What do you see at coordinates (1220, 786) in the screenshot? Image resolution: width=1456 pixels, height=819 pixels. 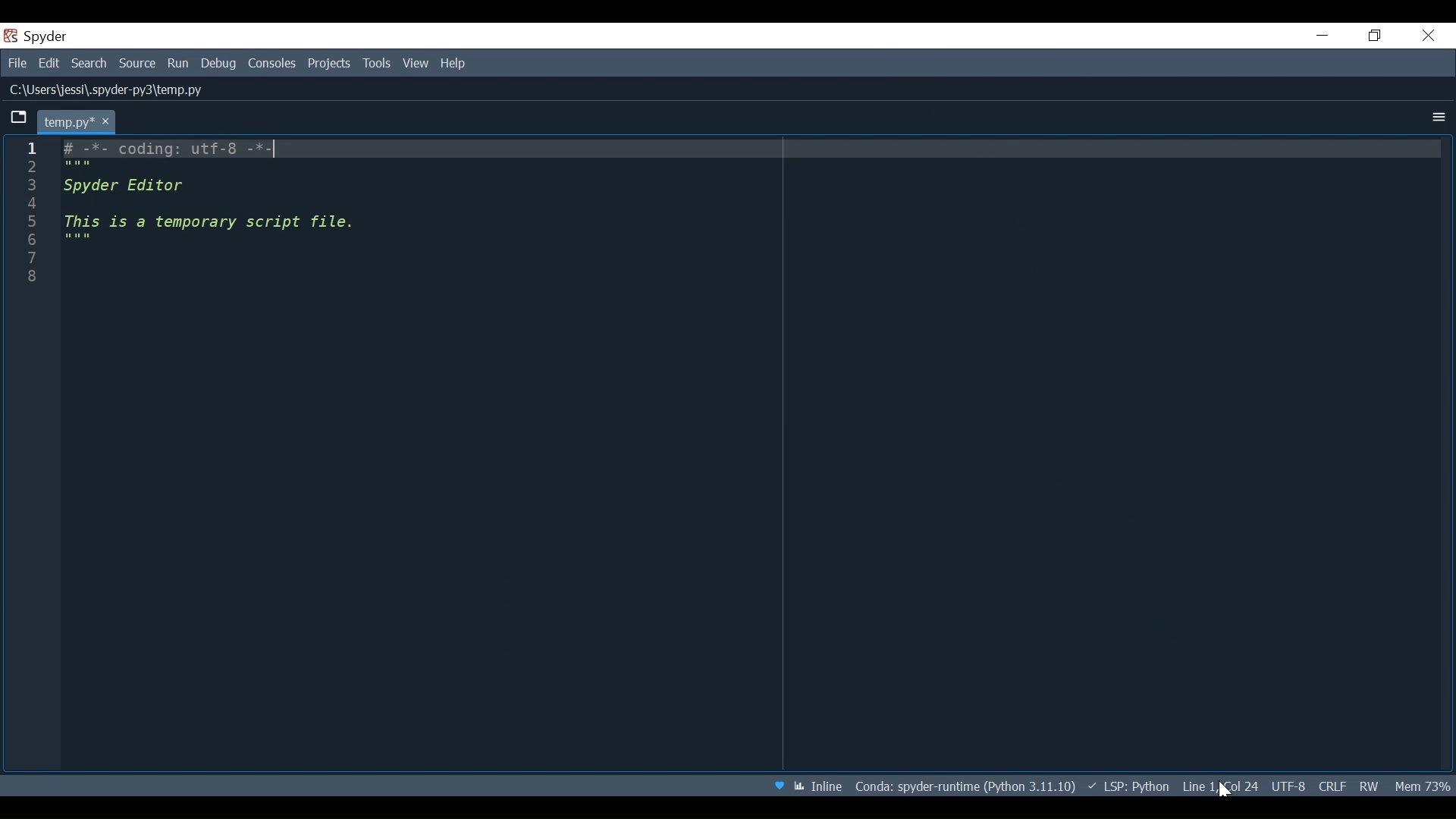 I see `cursor position` at bounding box center [1220, 786].